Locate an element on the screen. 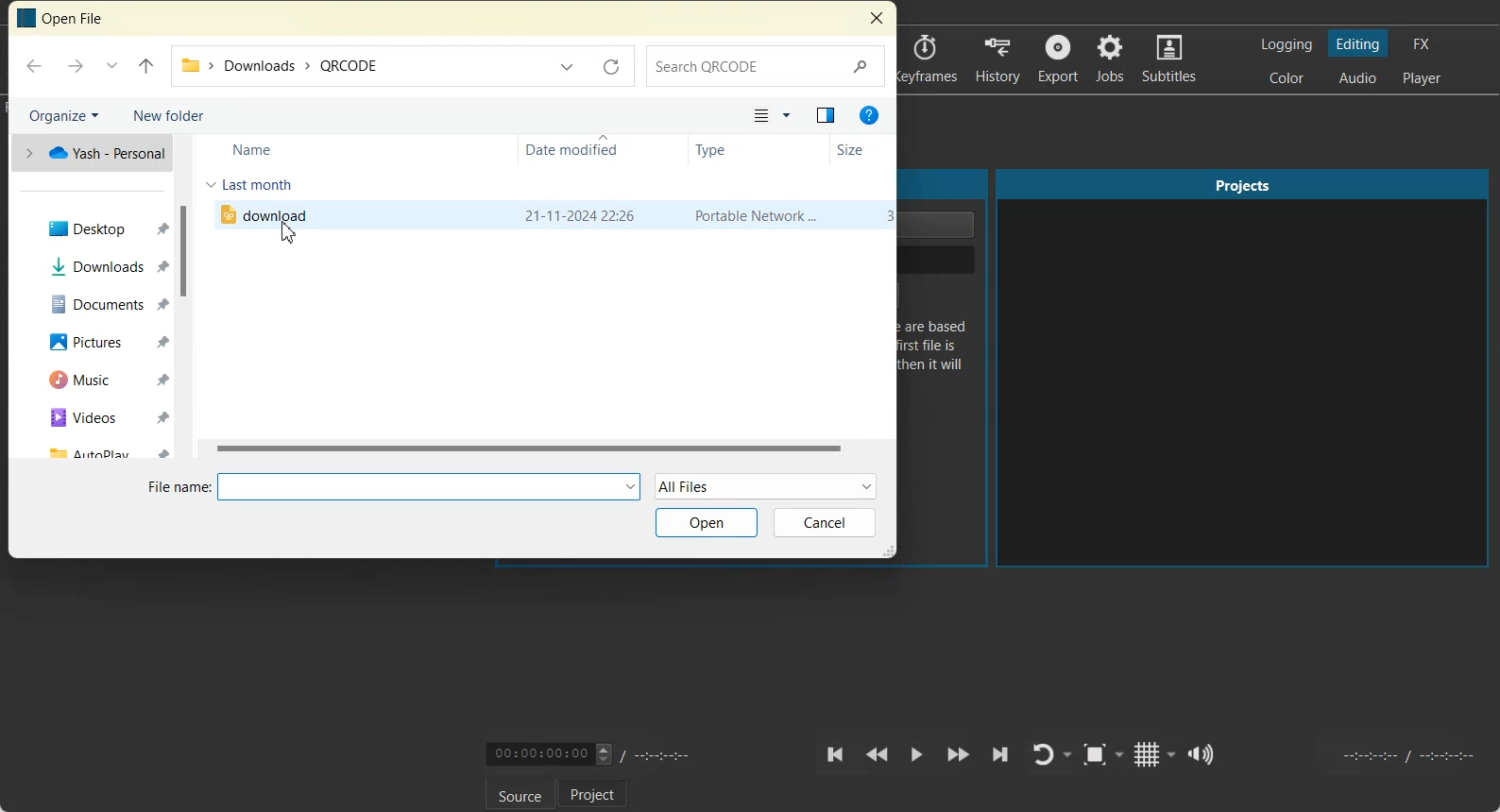 The image size is (1500, 812). File is located at coordinates (554, 214).